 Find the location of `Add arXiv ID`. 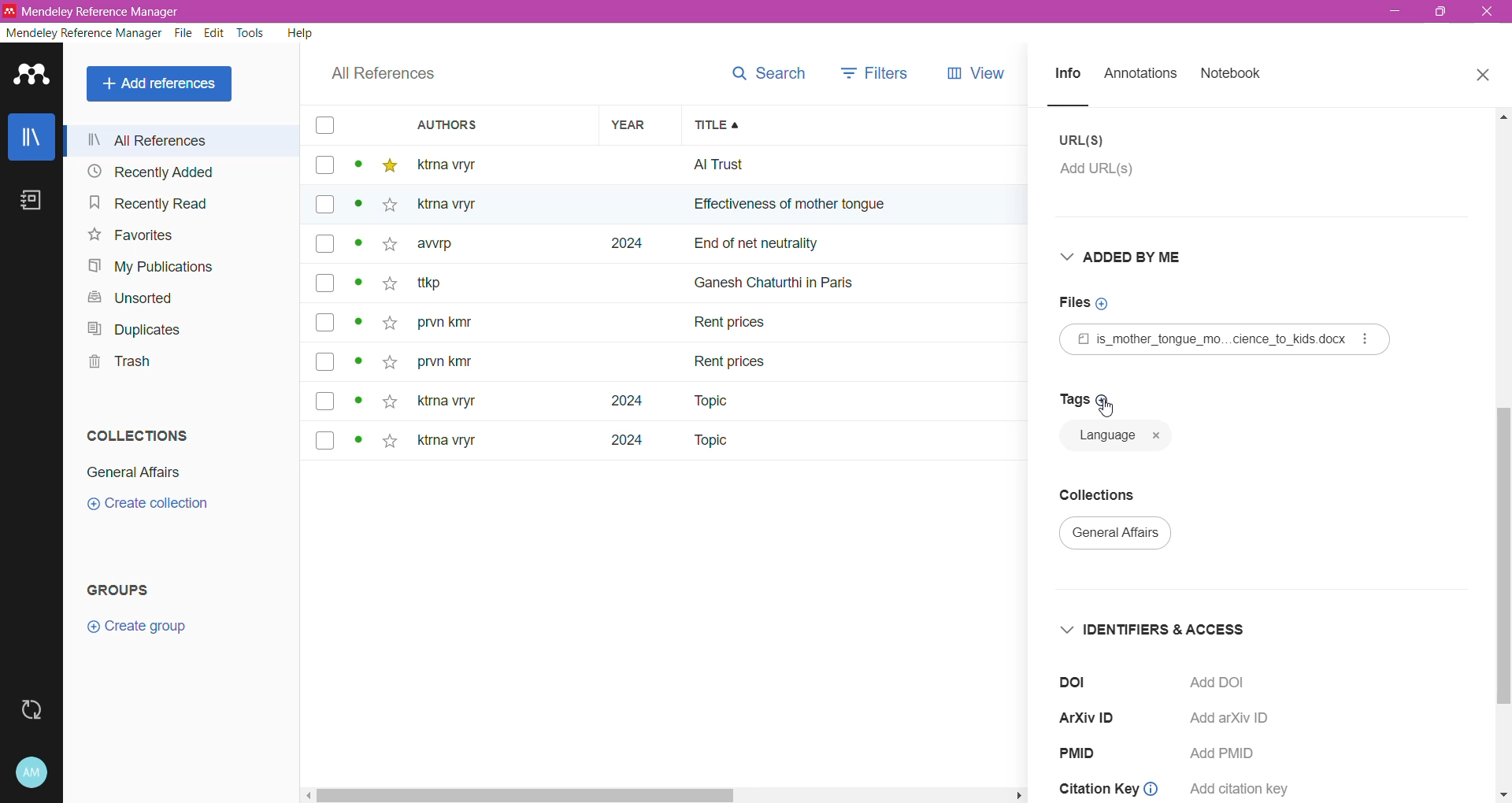

Add arXiv ID is located at coordinates (1225, 722).